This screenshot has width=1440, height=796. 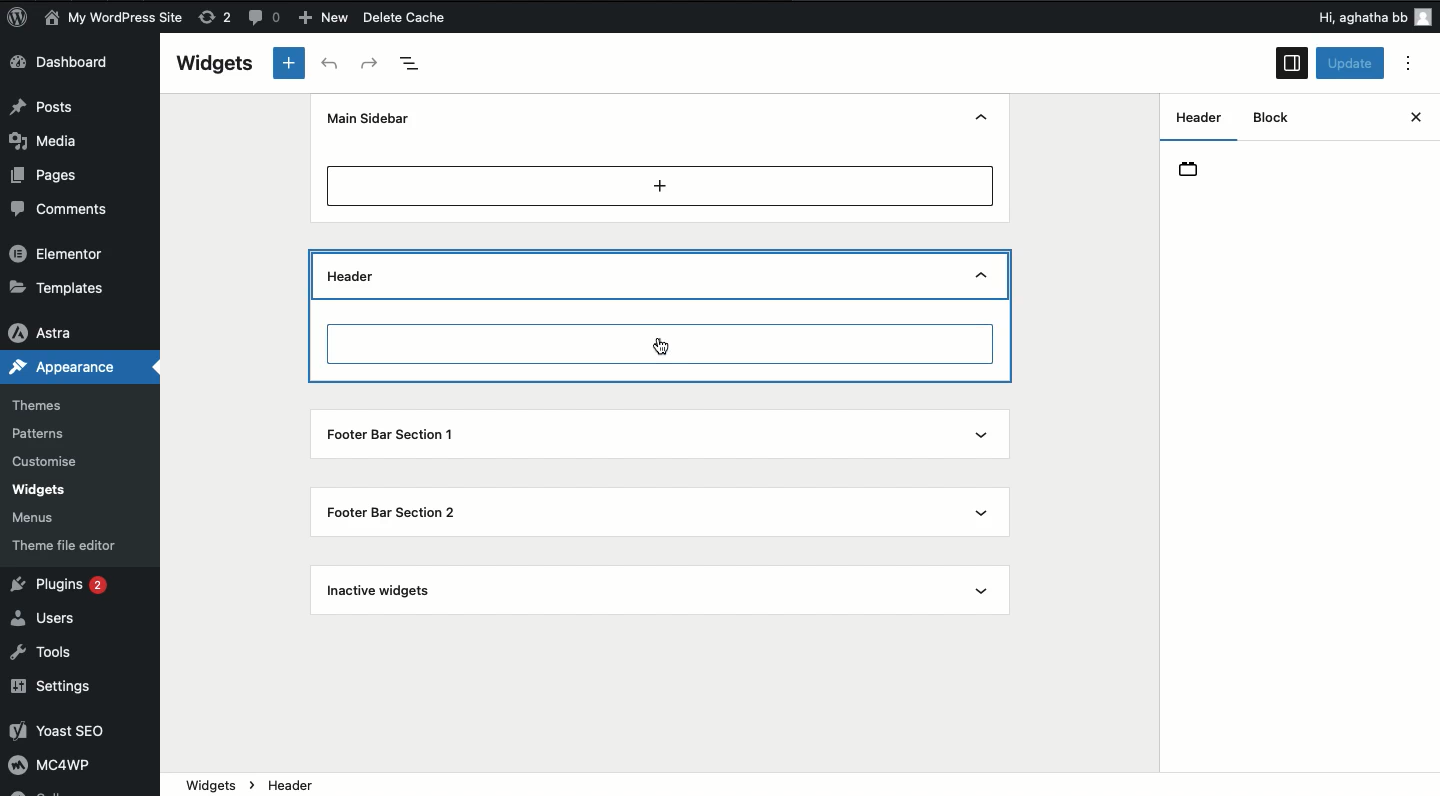 I want to click on Document overview, so click(x=418, y=63).